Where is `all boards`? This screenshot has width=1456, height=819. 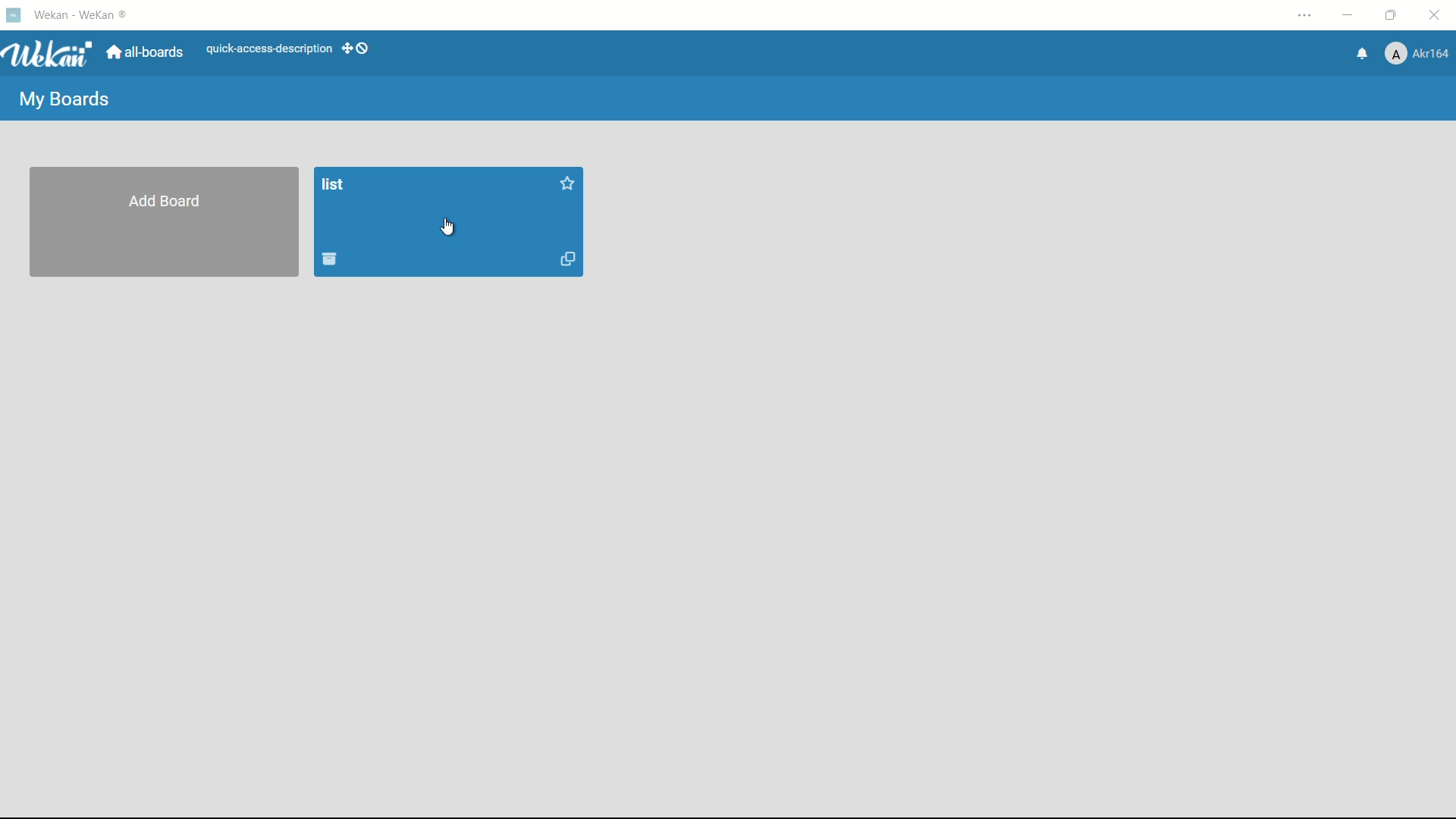
all boards is located at coordinates (143, 54).